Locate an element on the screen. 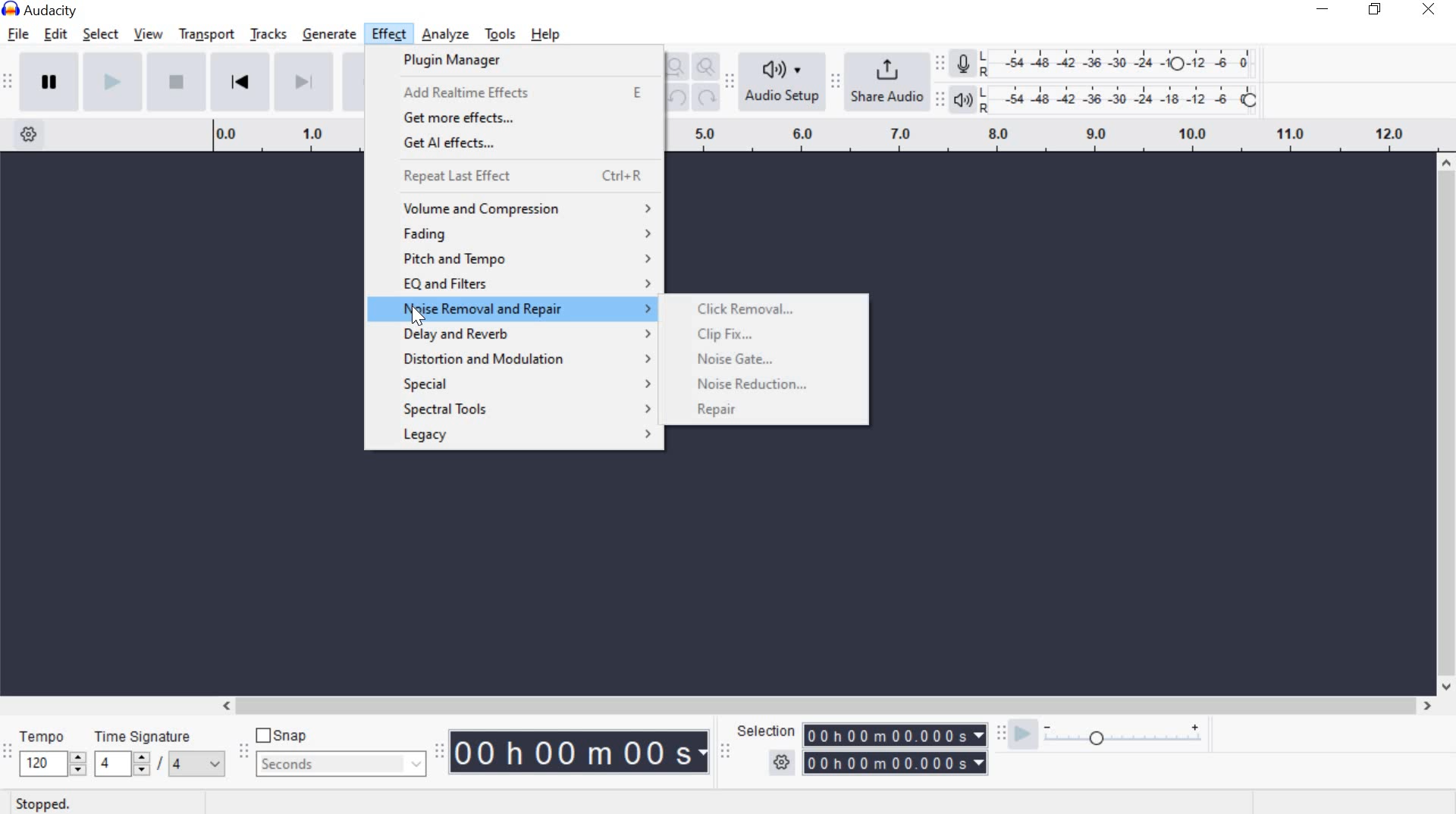  minimize is located at coordinates (1320, 8).